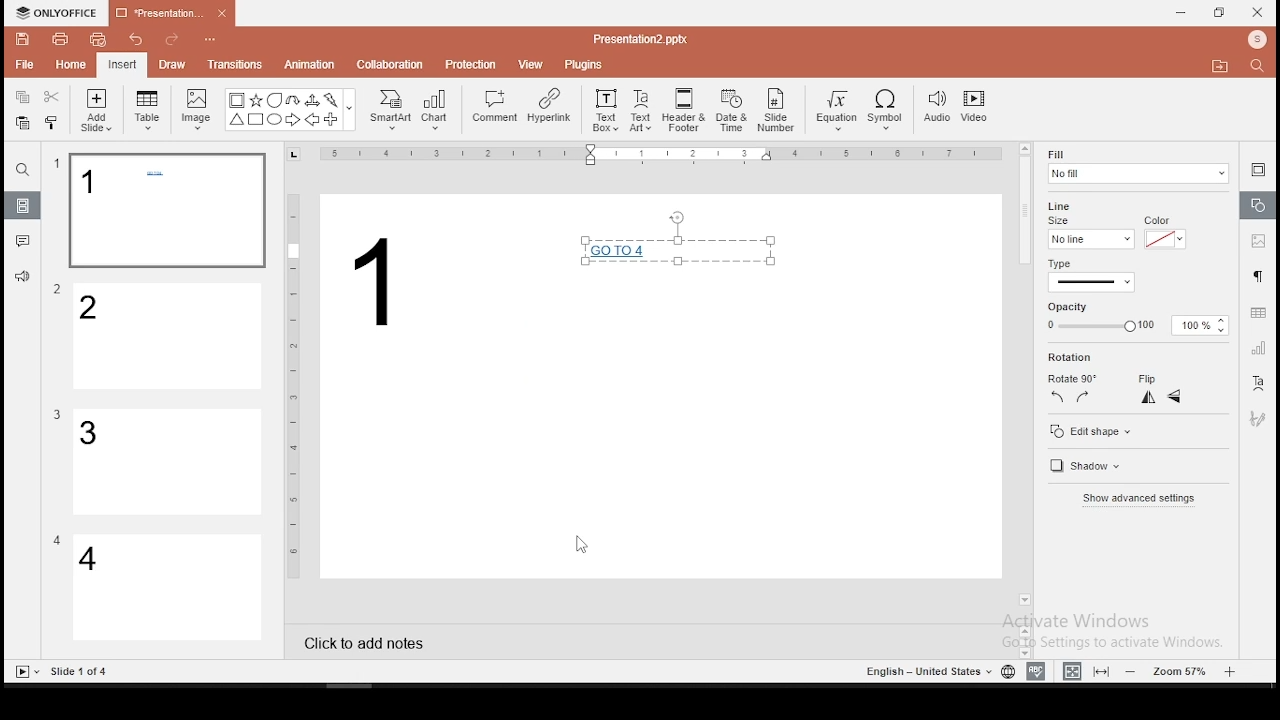 This screenshot has height=720, width=1280. I want to click on language, so click(1007, 672).